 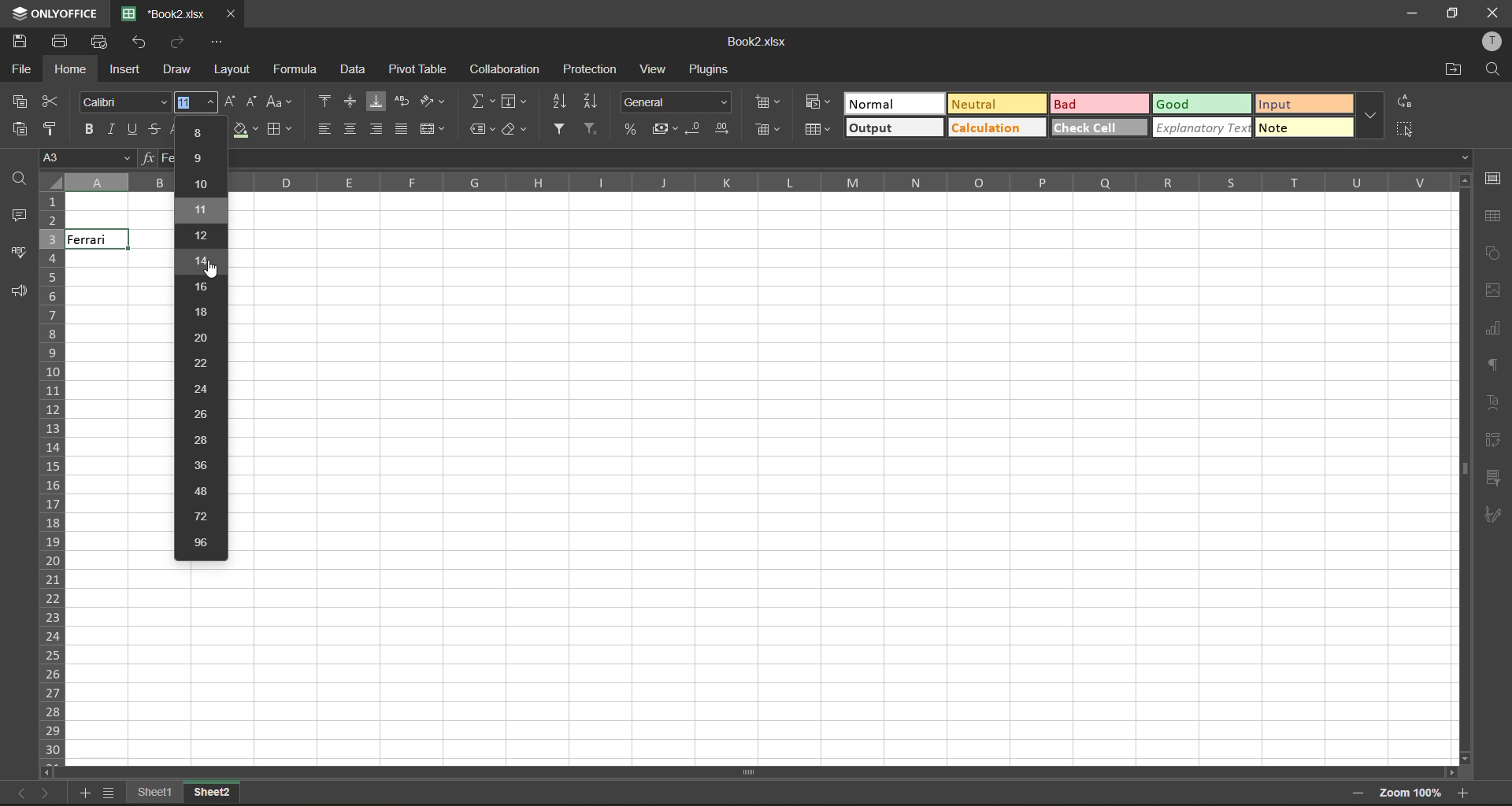 What do you see at coordinates (20, 128) in the screenshot?
I see `paste` at bounding box center [20, 128].